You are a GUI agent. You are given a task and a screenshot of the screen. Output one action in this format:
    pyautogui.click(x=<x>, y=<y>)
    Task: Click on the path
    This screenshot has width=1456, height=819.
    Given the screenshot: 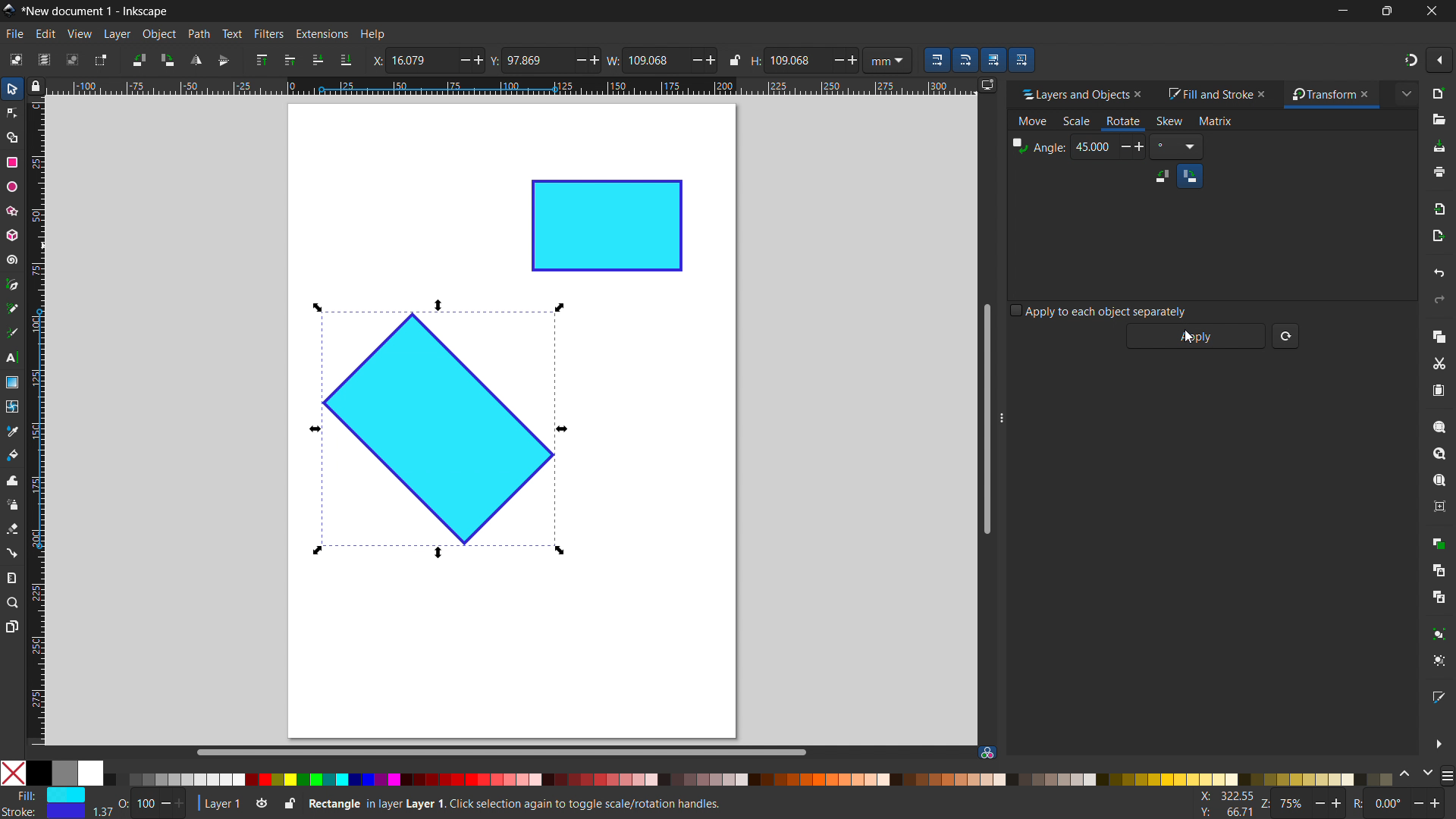 What is the action you would take?
    pyautogui.click(x=199, y=34)
    